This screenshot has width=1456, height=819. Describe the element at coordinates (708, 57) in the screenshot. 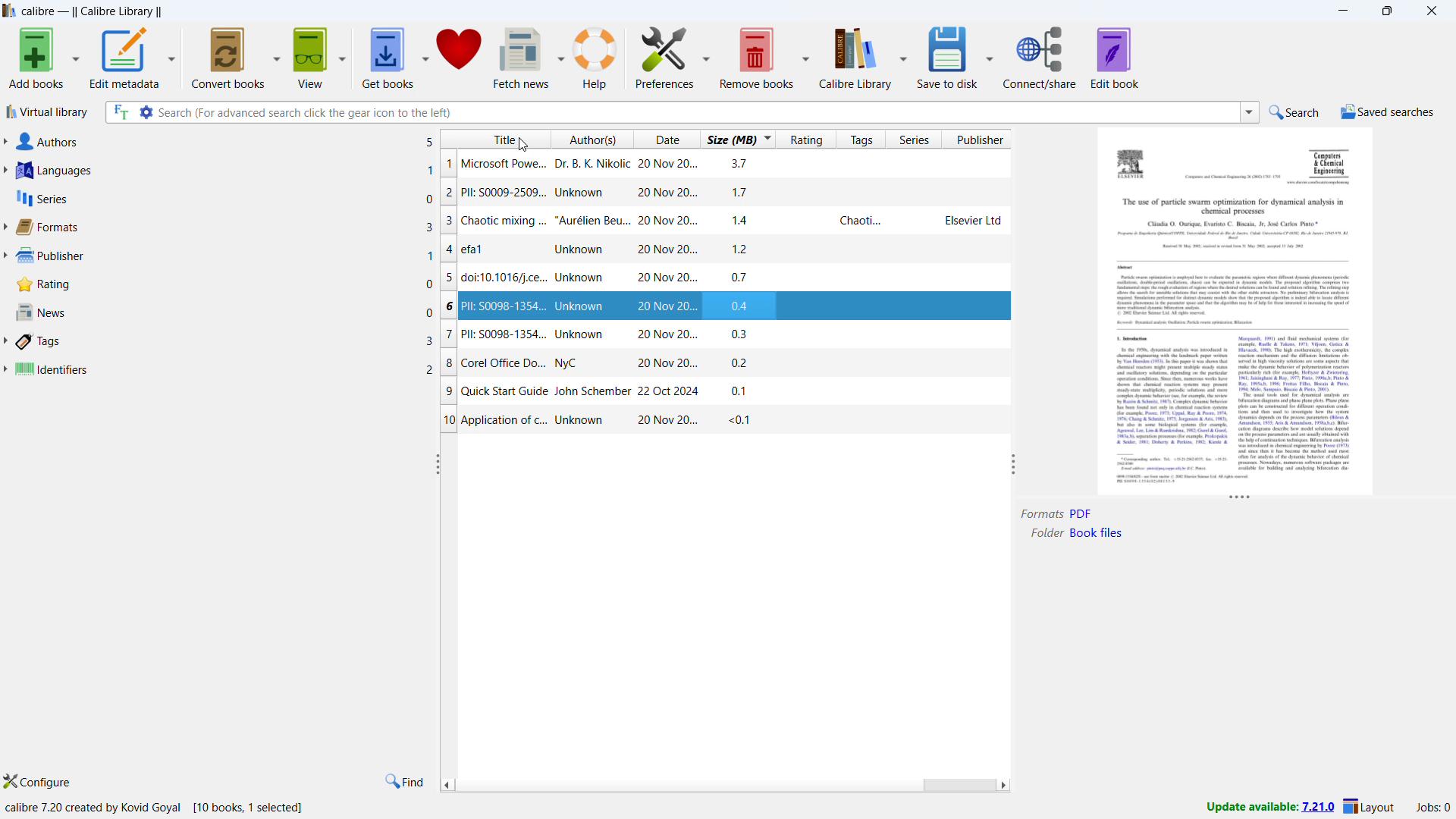

I see `preferences options` at that location.